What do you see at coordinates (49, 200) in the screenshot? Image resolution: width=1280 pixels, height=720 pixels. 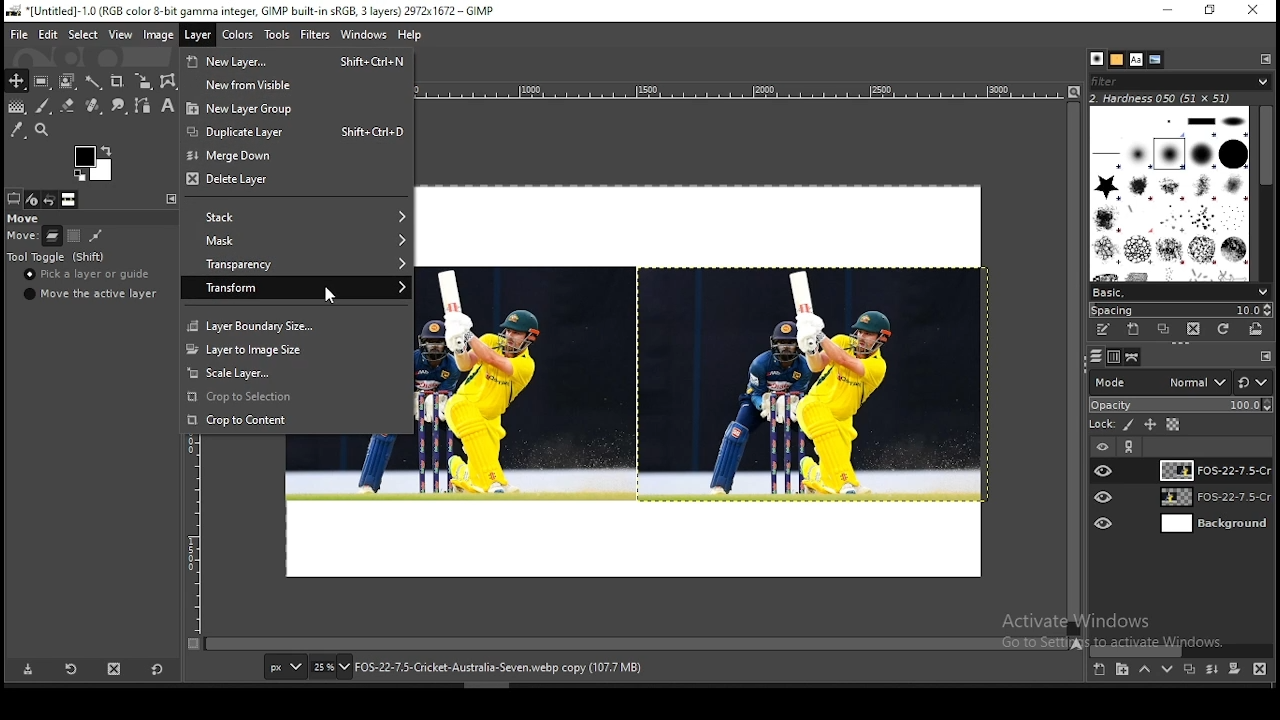 I see `undo history` at bounding box center [49, 200].